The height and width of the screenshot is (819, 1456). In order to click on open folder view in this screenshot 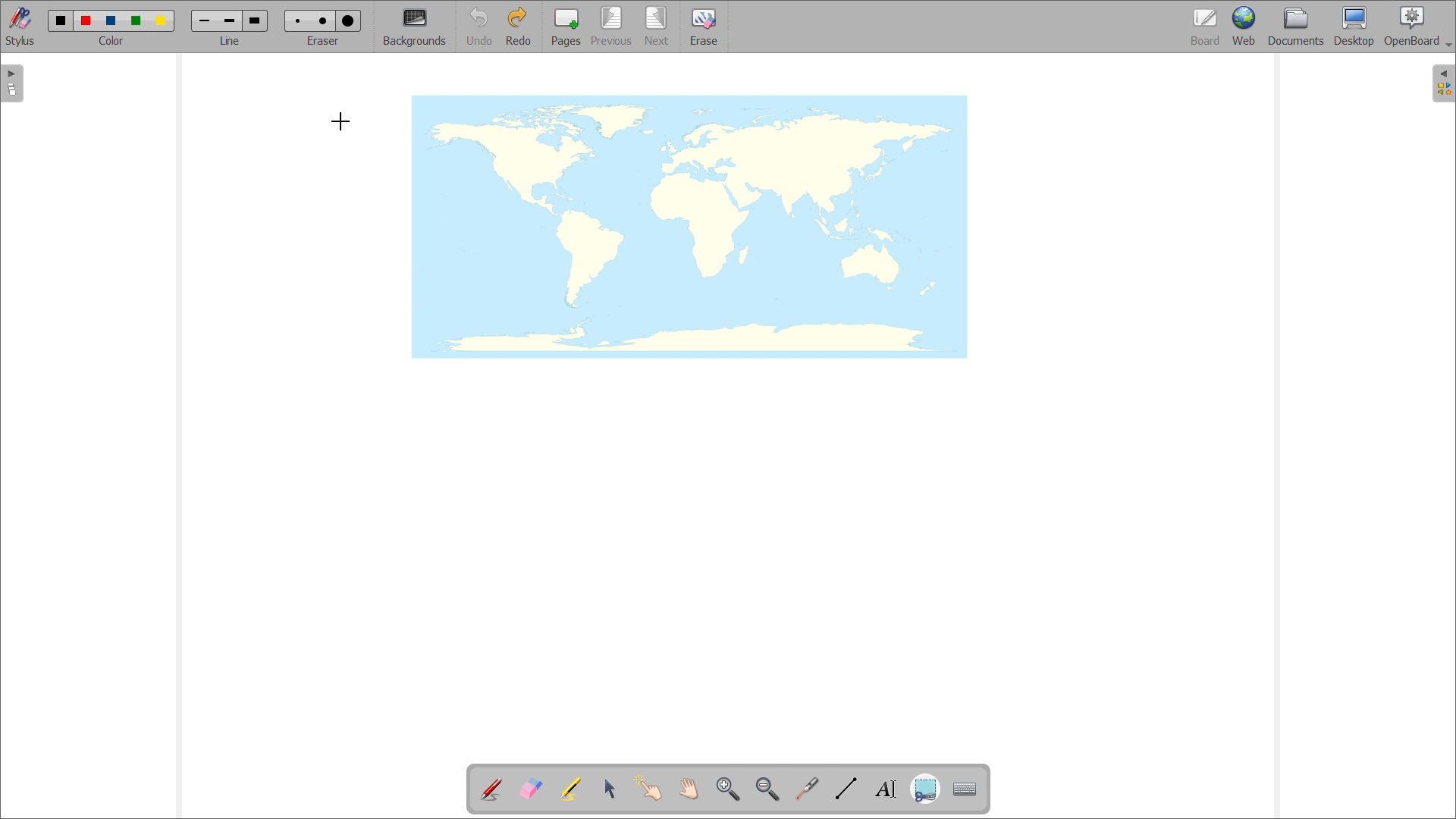, I will do `click(1444, 84)`.